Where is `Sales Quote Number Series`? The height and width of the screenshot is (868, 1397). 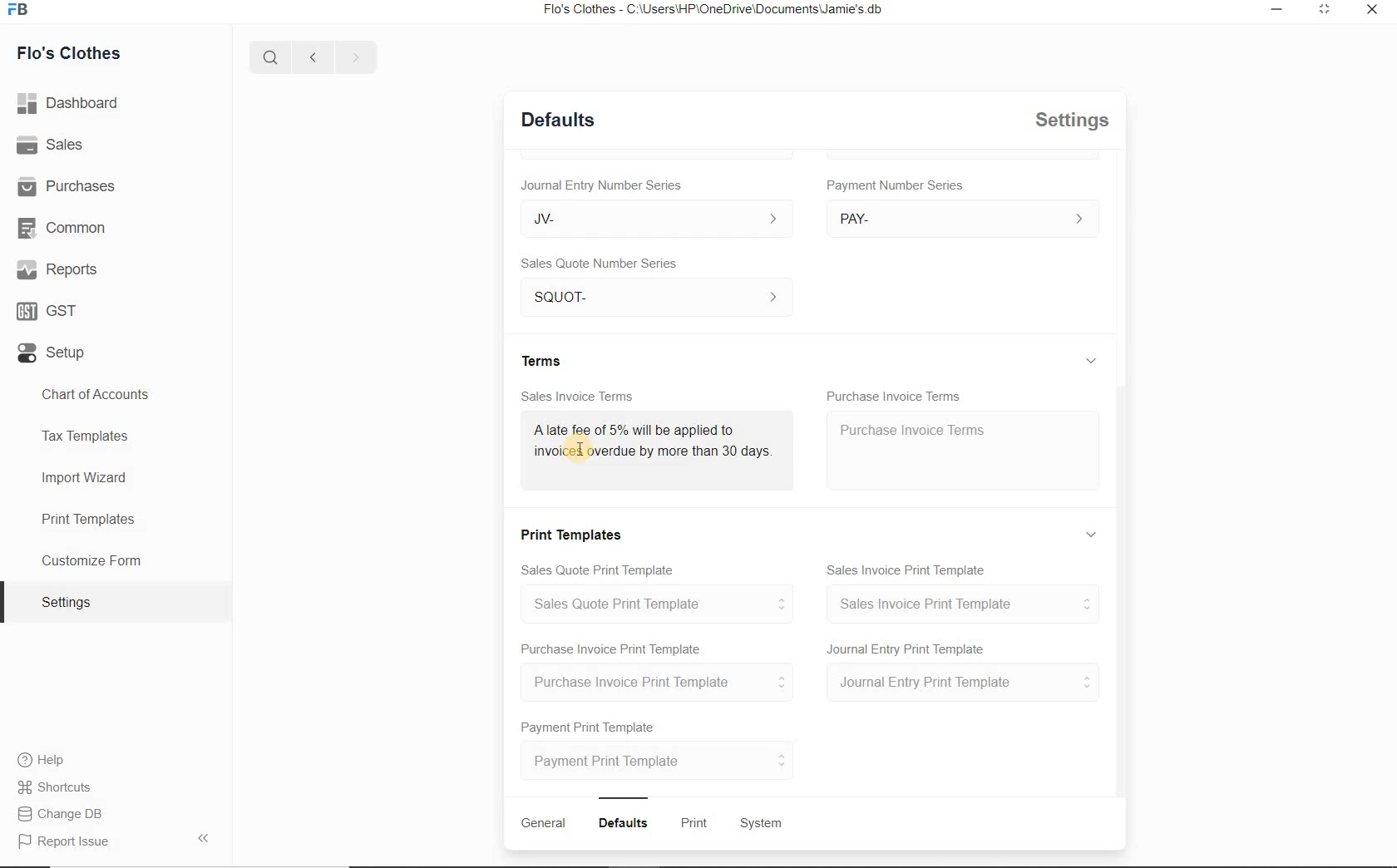
Sales Quote Number Series is located at coordinates (604, 262).